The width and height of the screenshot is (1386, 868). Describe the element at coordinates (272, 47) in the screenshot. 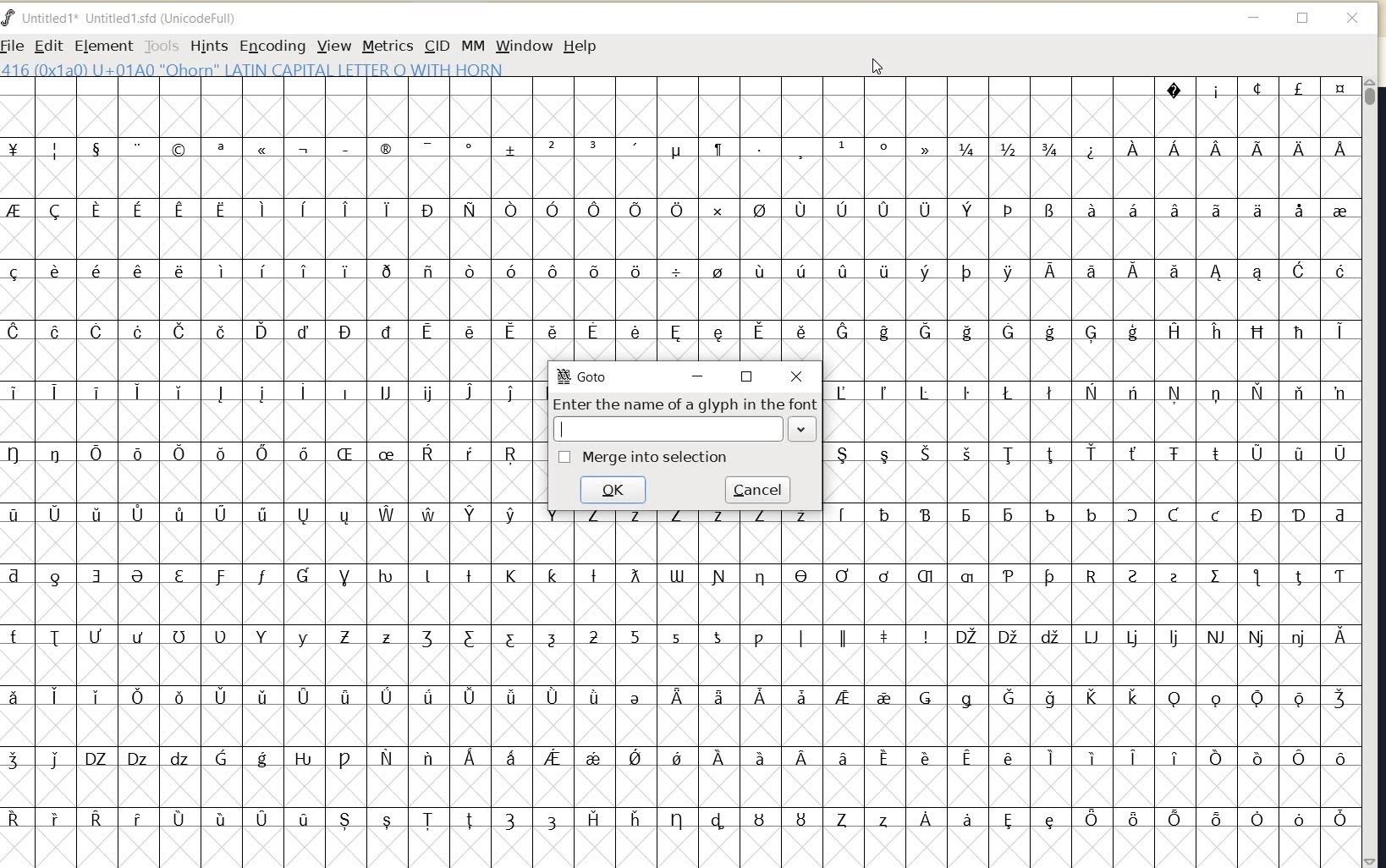

I see `ENCODING` at that location.